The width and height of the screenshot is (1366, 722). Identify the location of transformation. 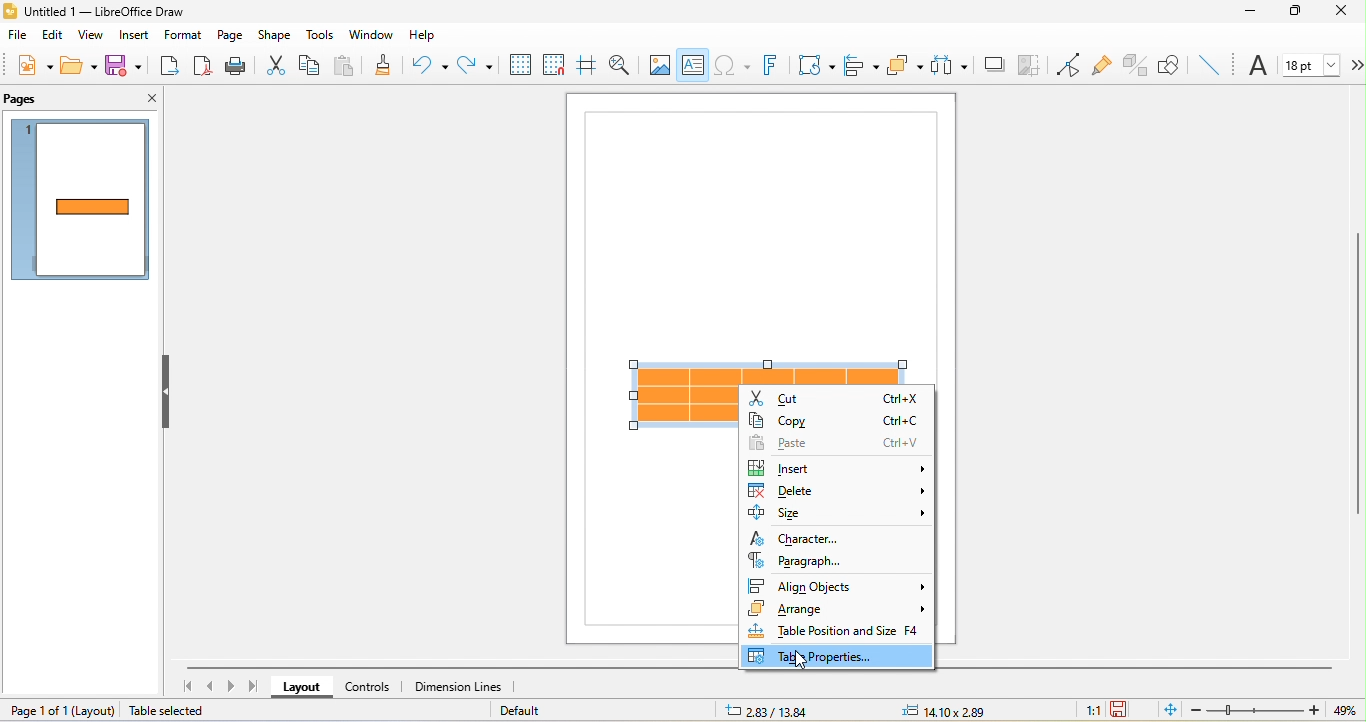
(812, 63).